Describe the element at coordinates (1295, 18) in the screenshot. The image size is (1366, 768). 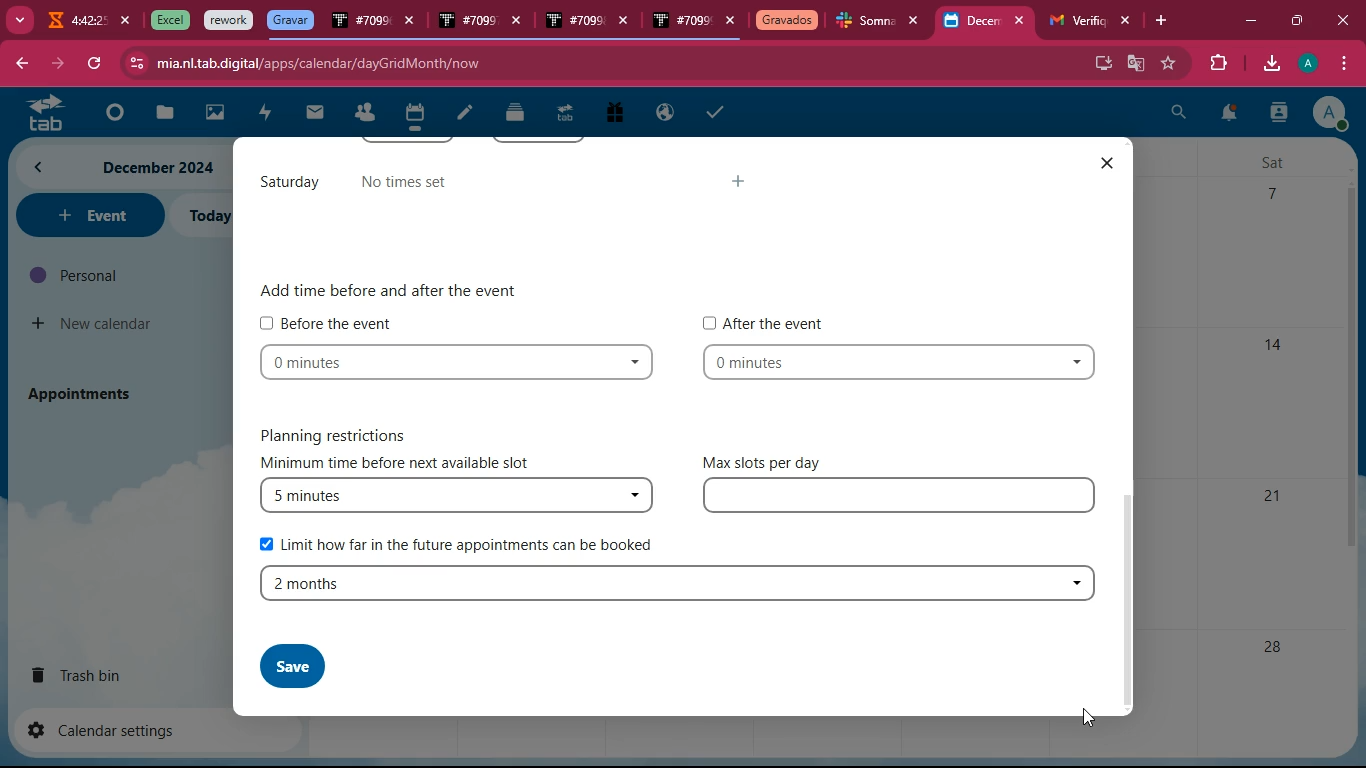
I see `maximize` at that location.